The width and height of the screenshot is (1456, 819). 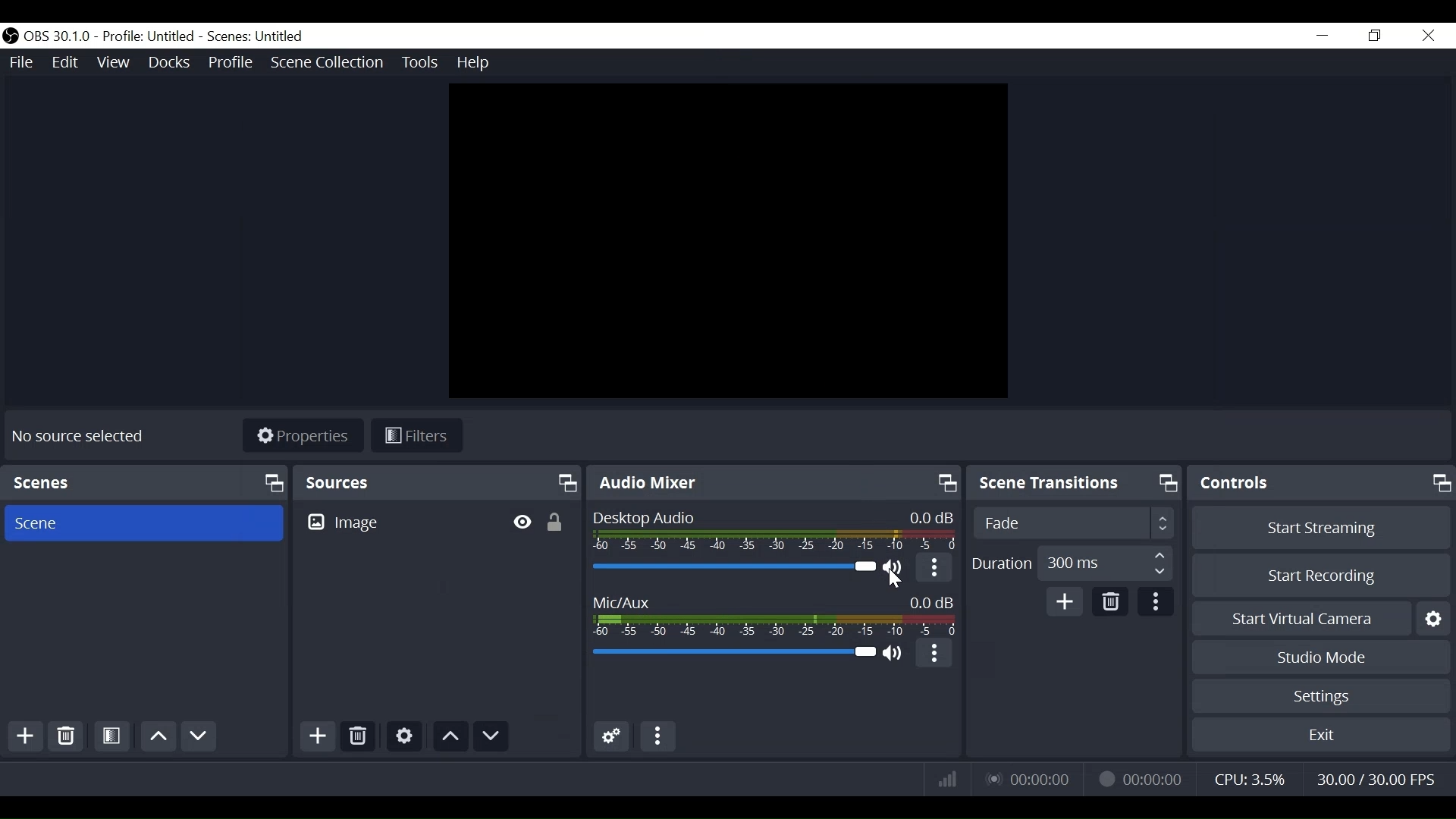 What do you see at coordinates (400, 522) in the screenshot?
I see `Image Source` at bounding box center [400, 522].